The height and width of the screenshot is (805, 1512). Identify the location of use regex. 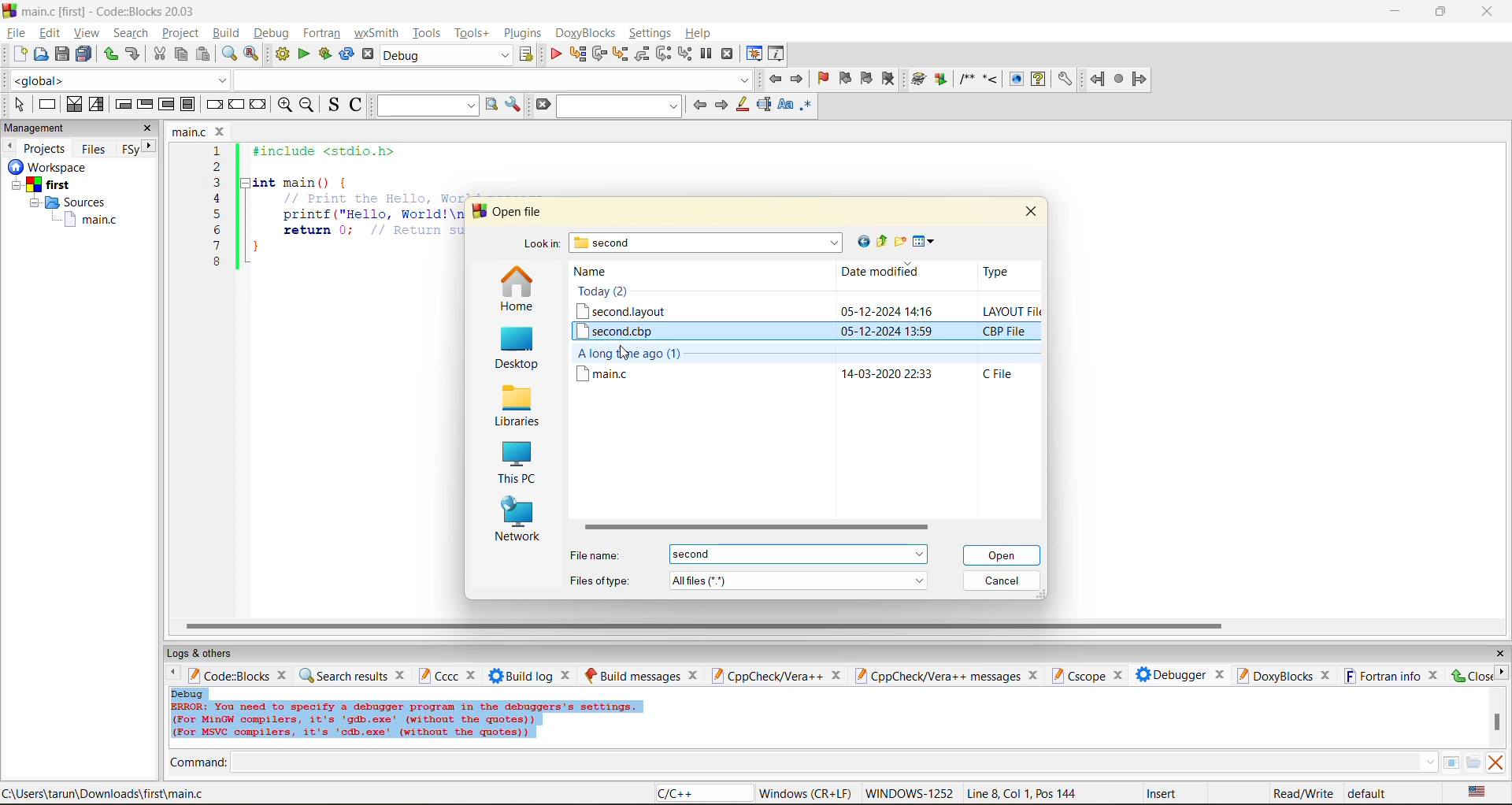
(806, 108).